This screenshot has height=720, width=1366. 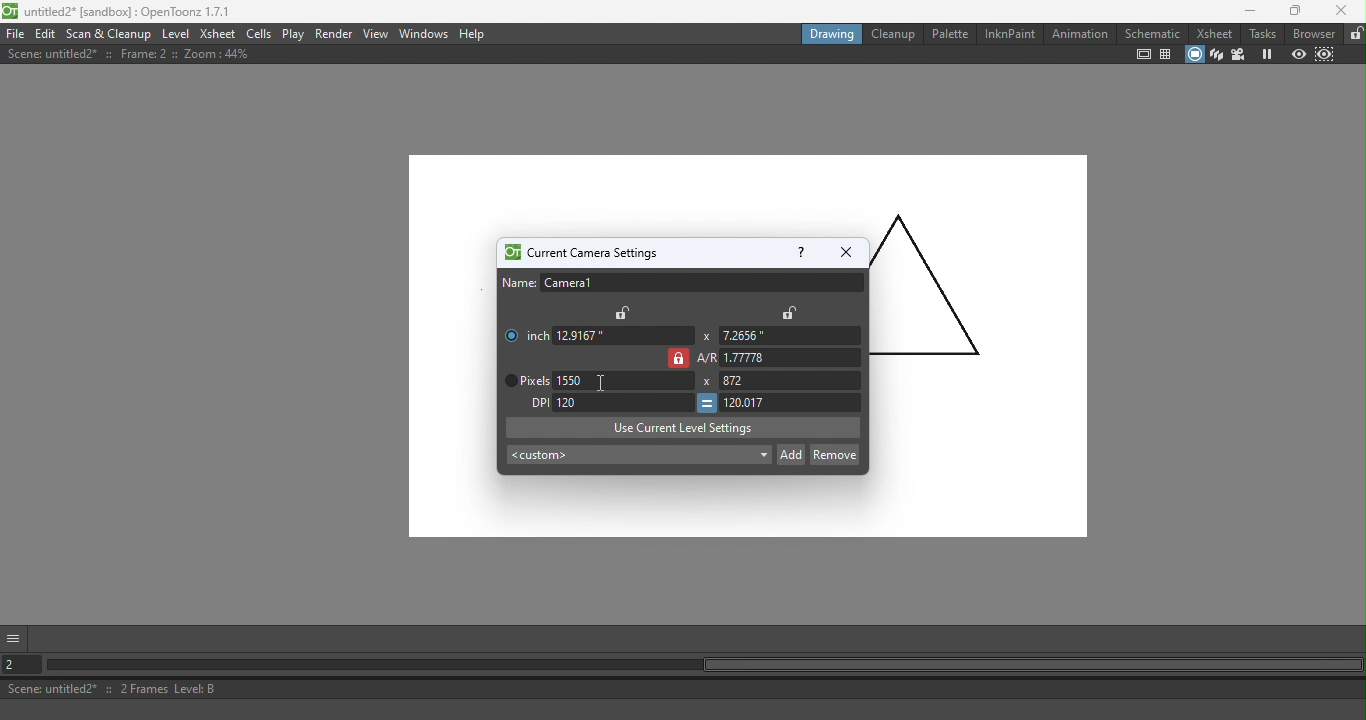 What do you see at coordinates (335, 35) in the screenshot?
I see `Render` at bounding box center [335, 35].